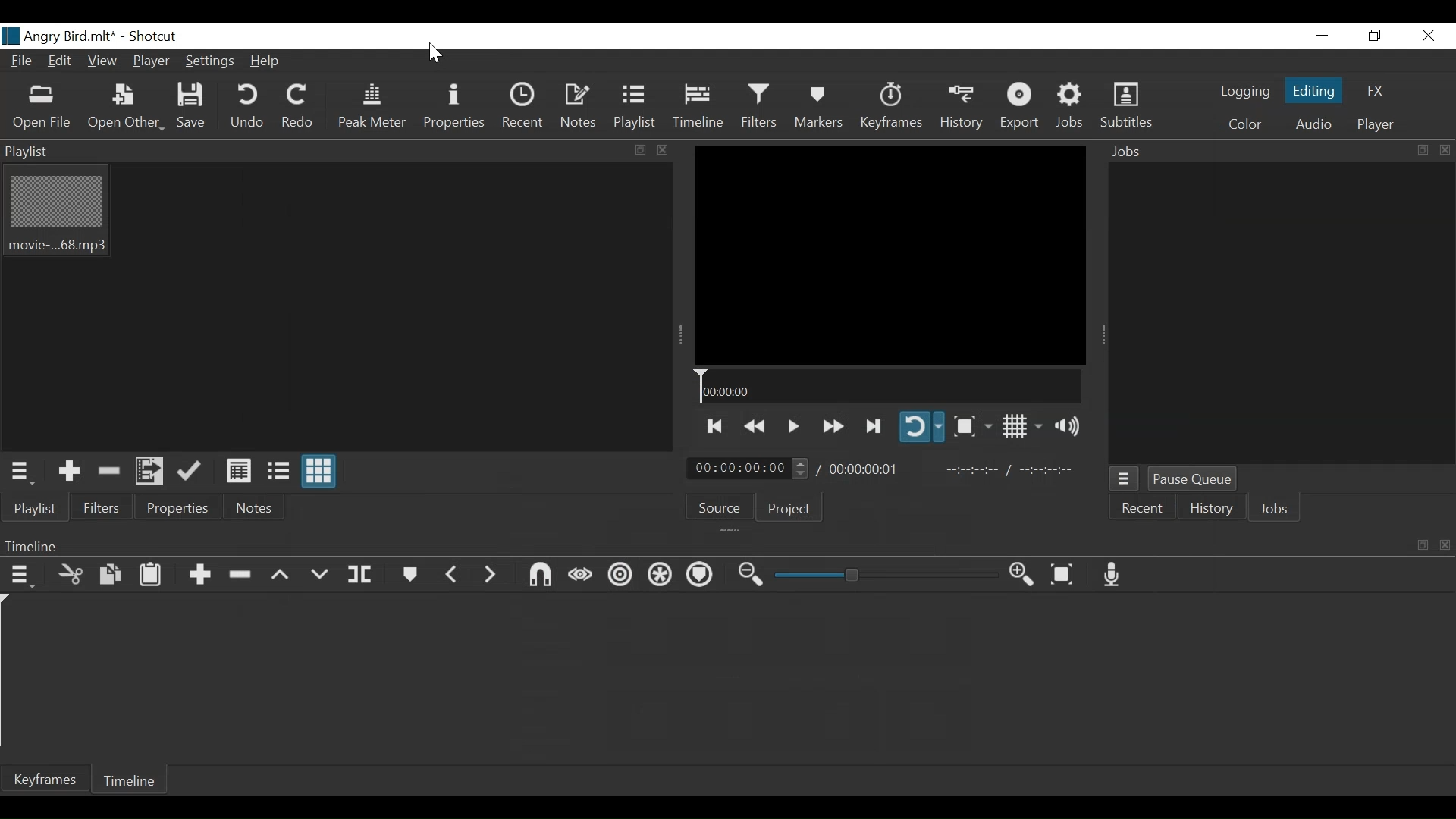 This screenshot has height=819, width=1456. Describe the element at coordinates (453, 573) in the screenshot. I see `Previous marker` at that location.